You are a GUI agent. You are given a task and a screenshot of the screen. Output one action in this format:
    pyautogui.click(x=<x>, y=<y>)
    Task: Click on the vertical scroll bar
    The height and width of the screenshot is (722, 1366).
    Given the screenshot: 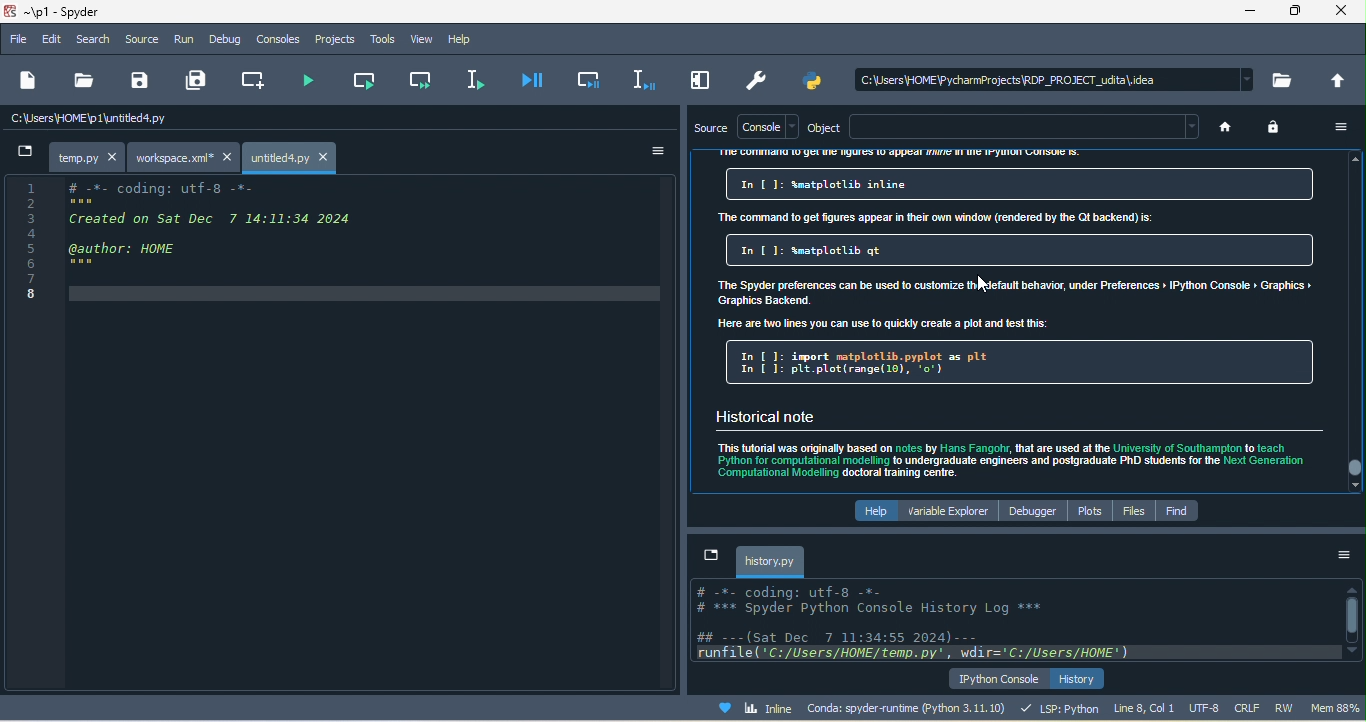 What is the action you would take?
    pyautogui.click(x=1351, y=321)
    